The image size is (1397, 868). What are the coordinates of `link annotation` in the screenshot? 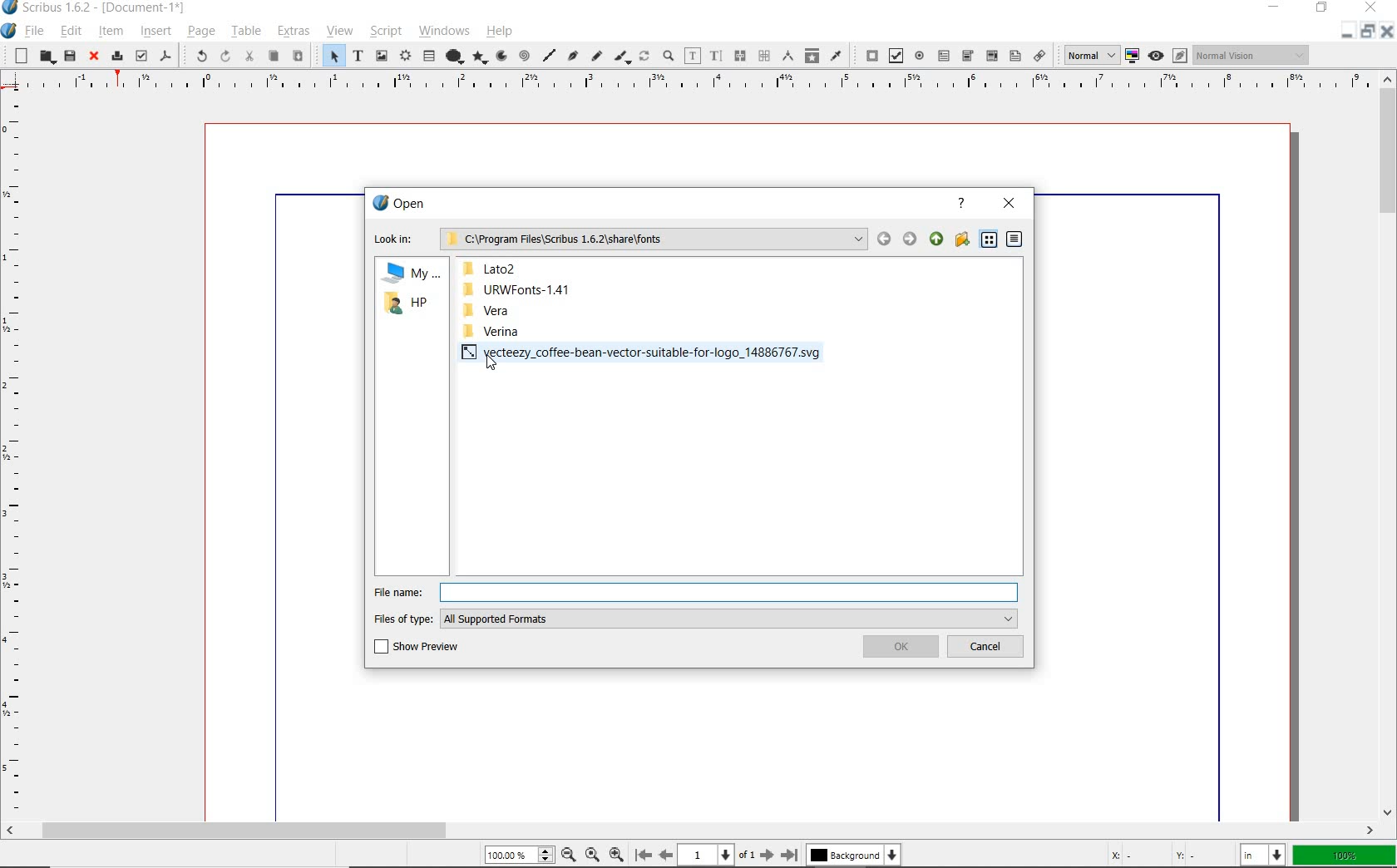 It's located at (1039, 55).